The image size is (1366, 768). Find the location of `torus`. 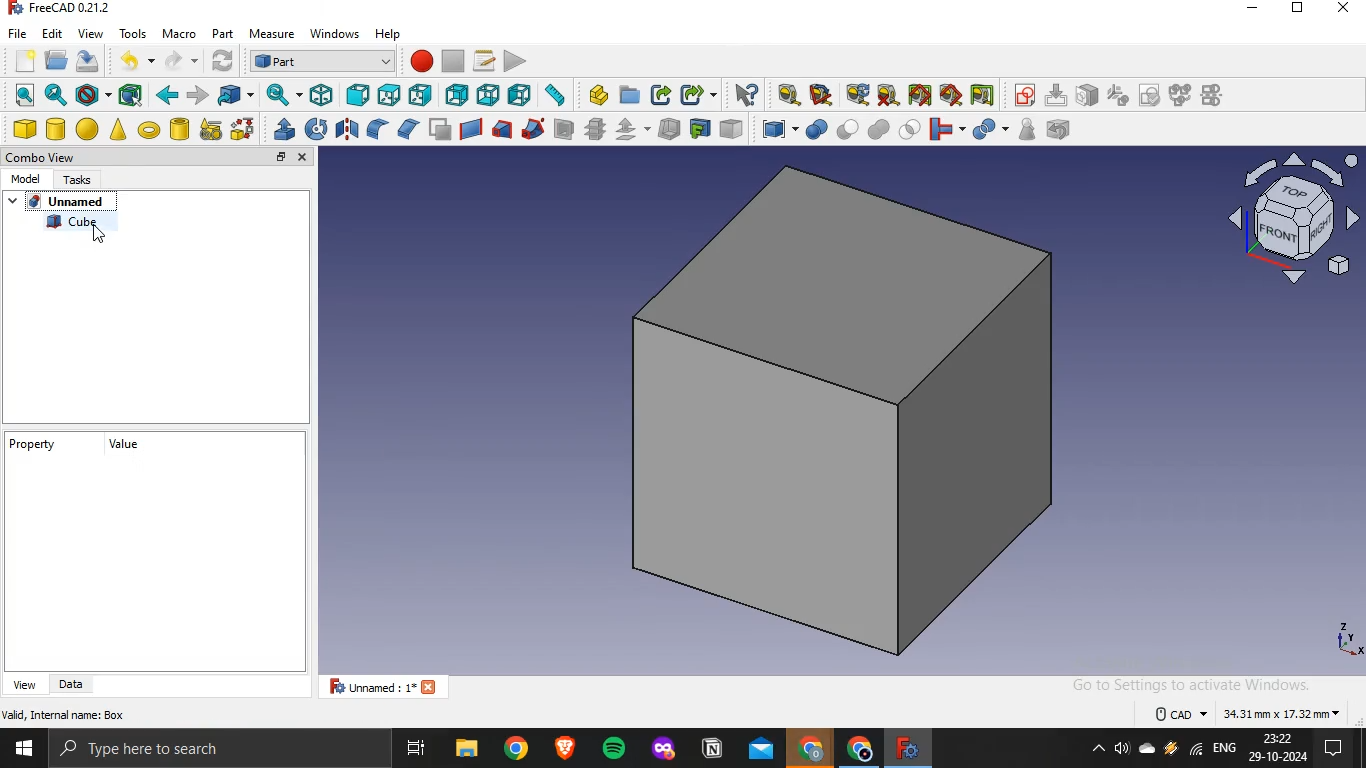

torus is located at coordinates (149, 130).